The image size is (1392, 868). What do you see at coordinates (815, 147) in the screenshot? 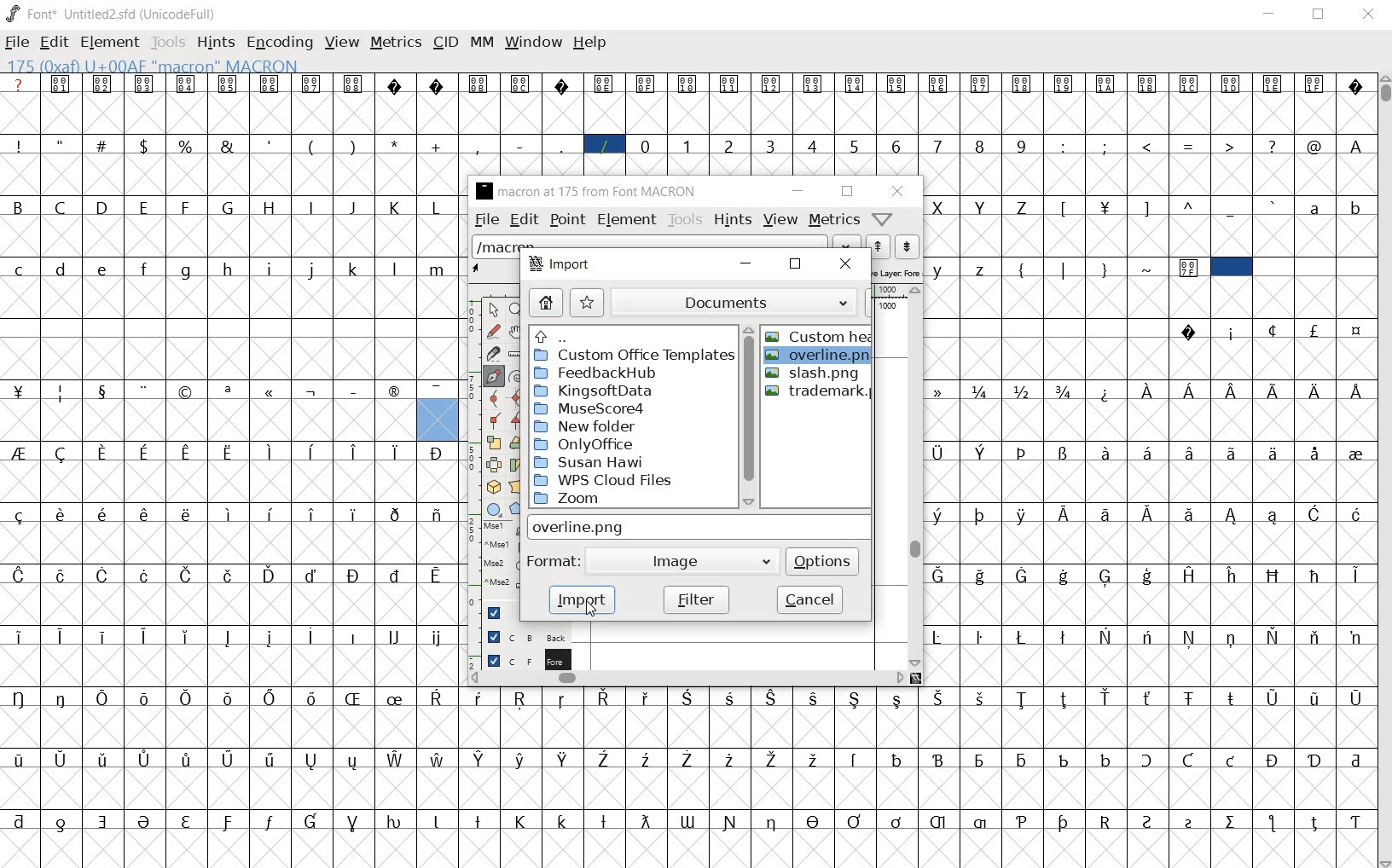
I see `4` at bounding box center [815, 147].